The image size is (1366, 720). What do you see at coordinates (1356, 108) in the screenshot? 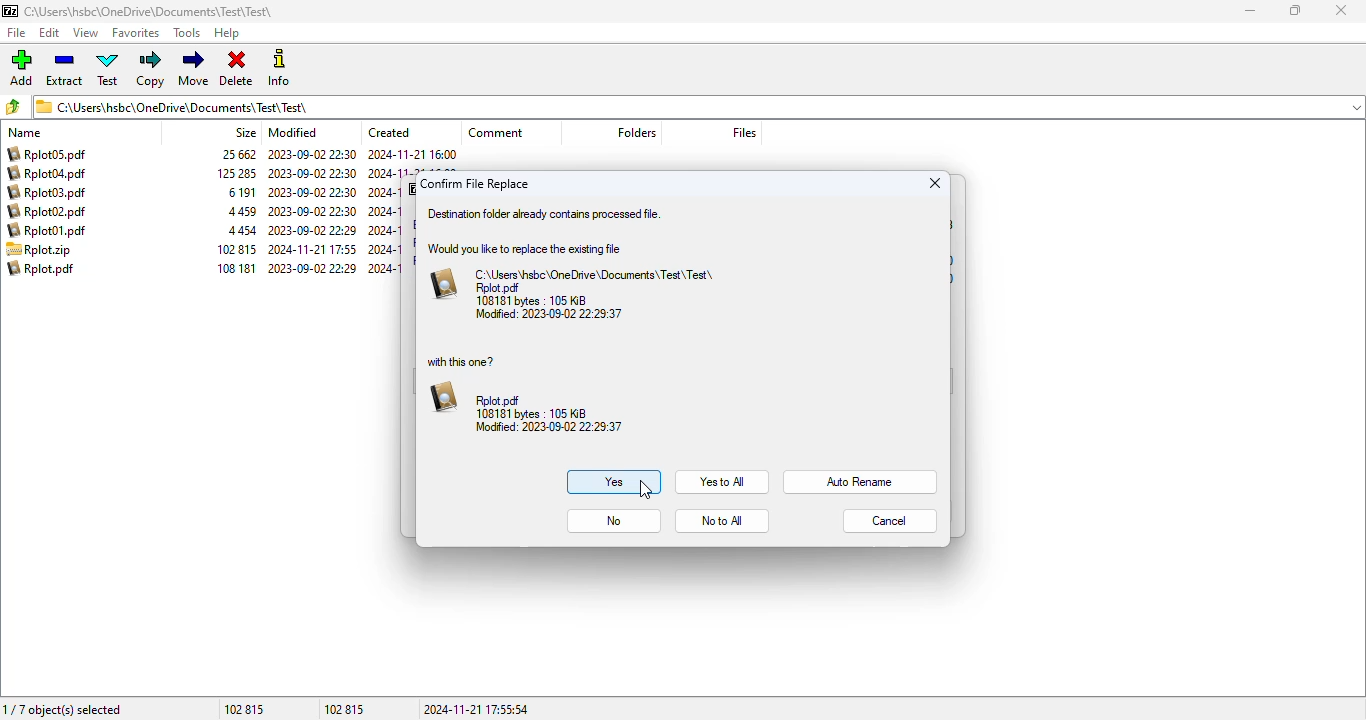
I see `collapse` at bounding box center [1356, 108].